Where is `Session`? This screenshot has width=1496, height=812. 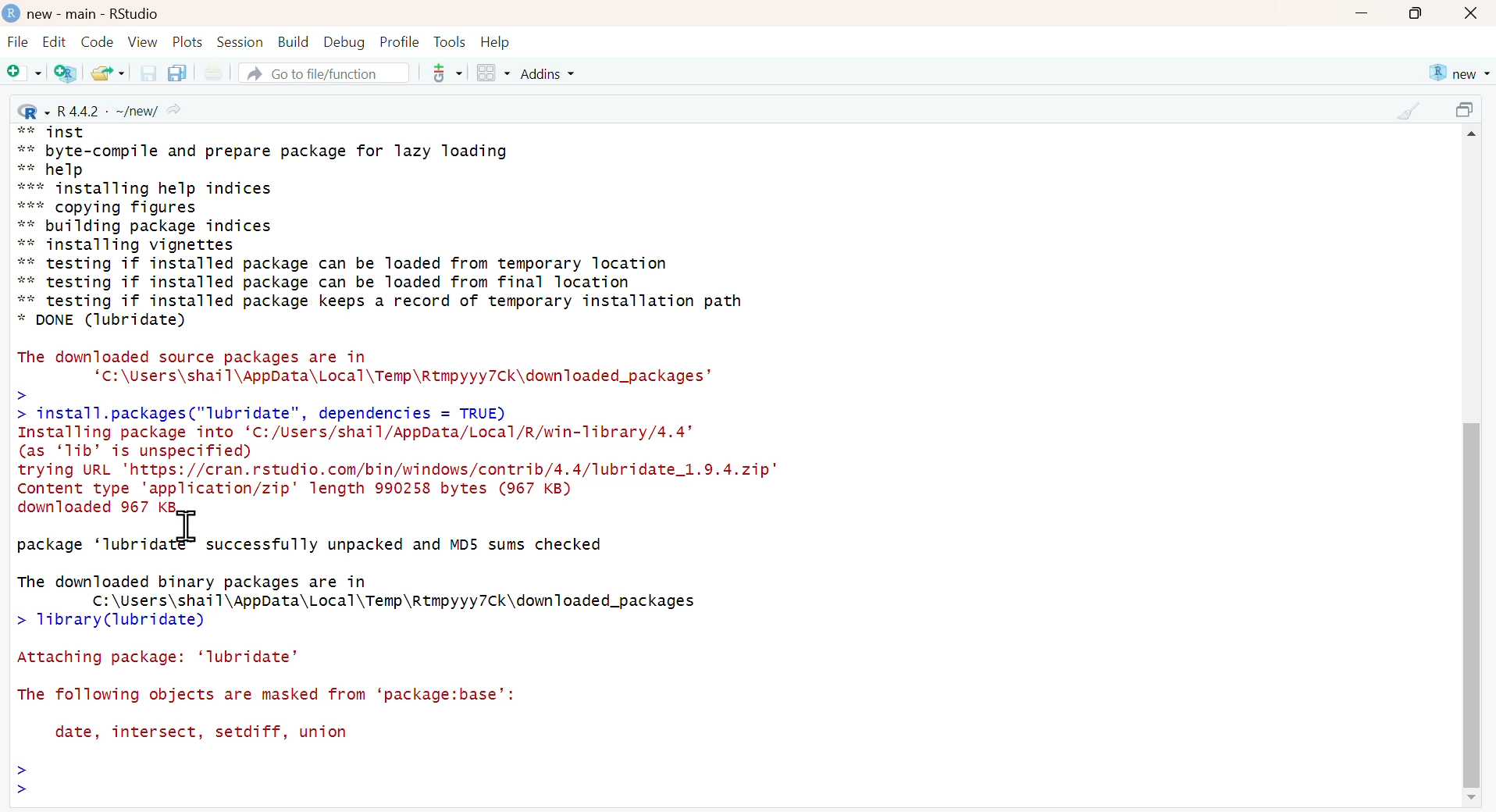
Session is located at coordinates (240, 41).